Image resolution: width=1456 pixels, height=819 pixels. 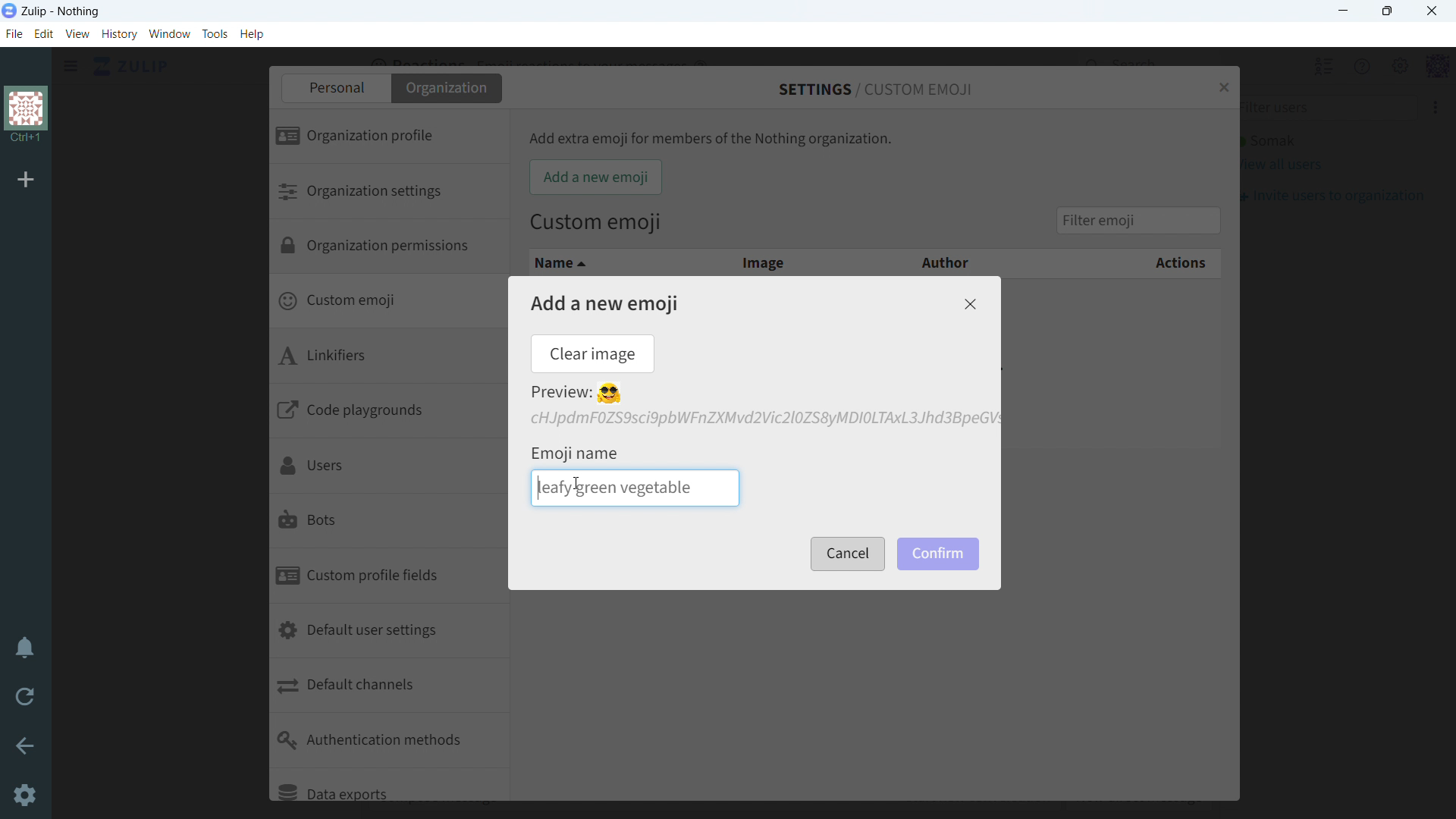 I want to click on organization profile, so click(x=388, y=137).